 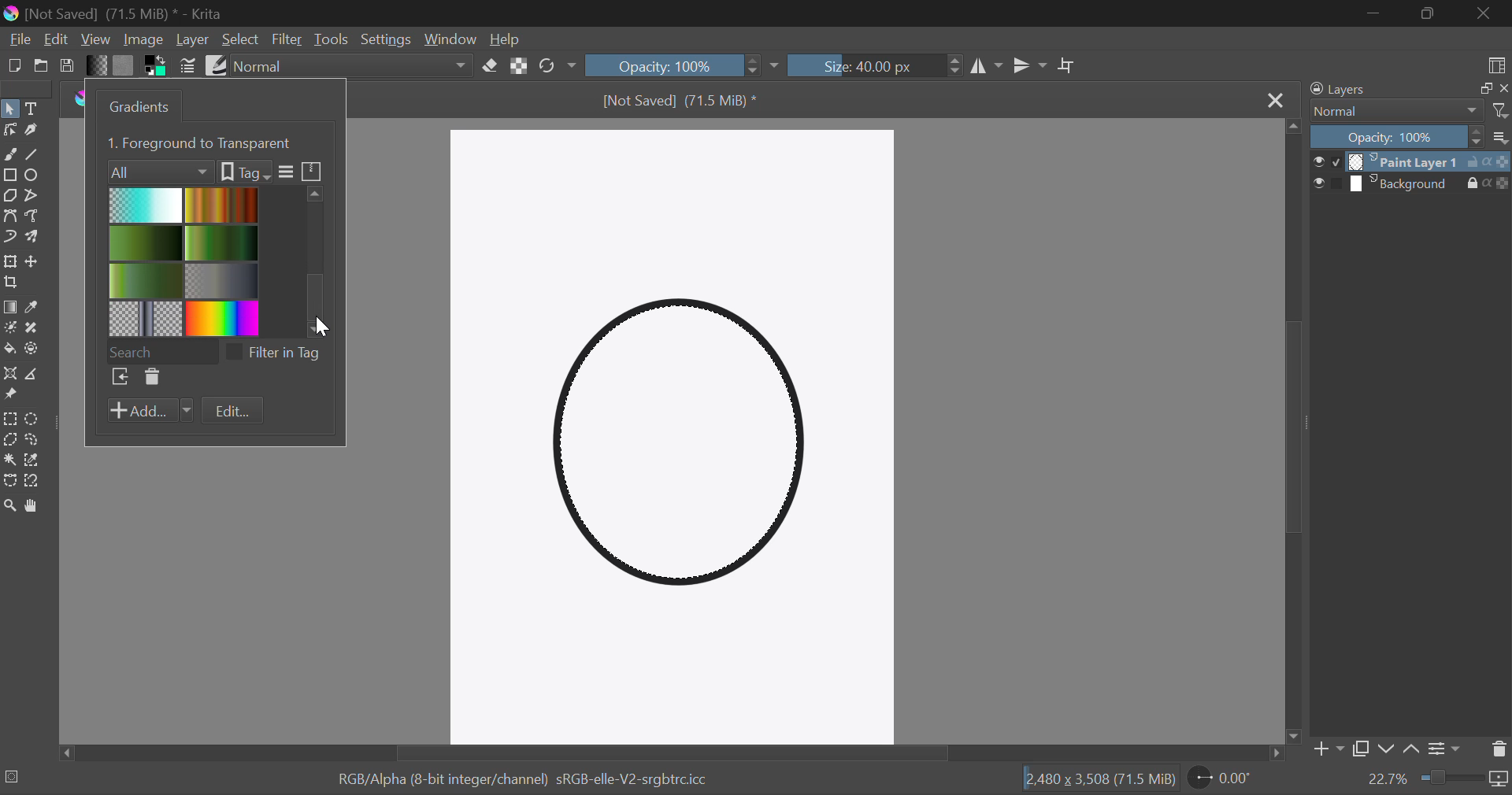 What do you see at coordinates (161, 352) in the screenshot?
I see `Search` at bounding box center [161, 352].